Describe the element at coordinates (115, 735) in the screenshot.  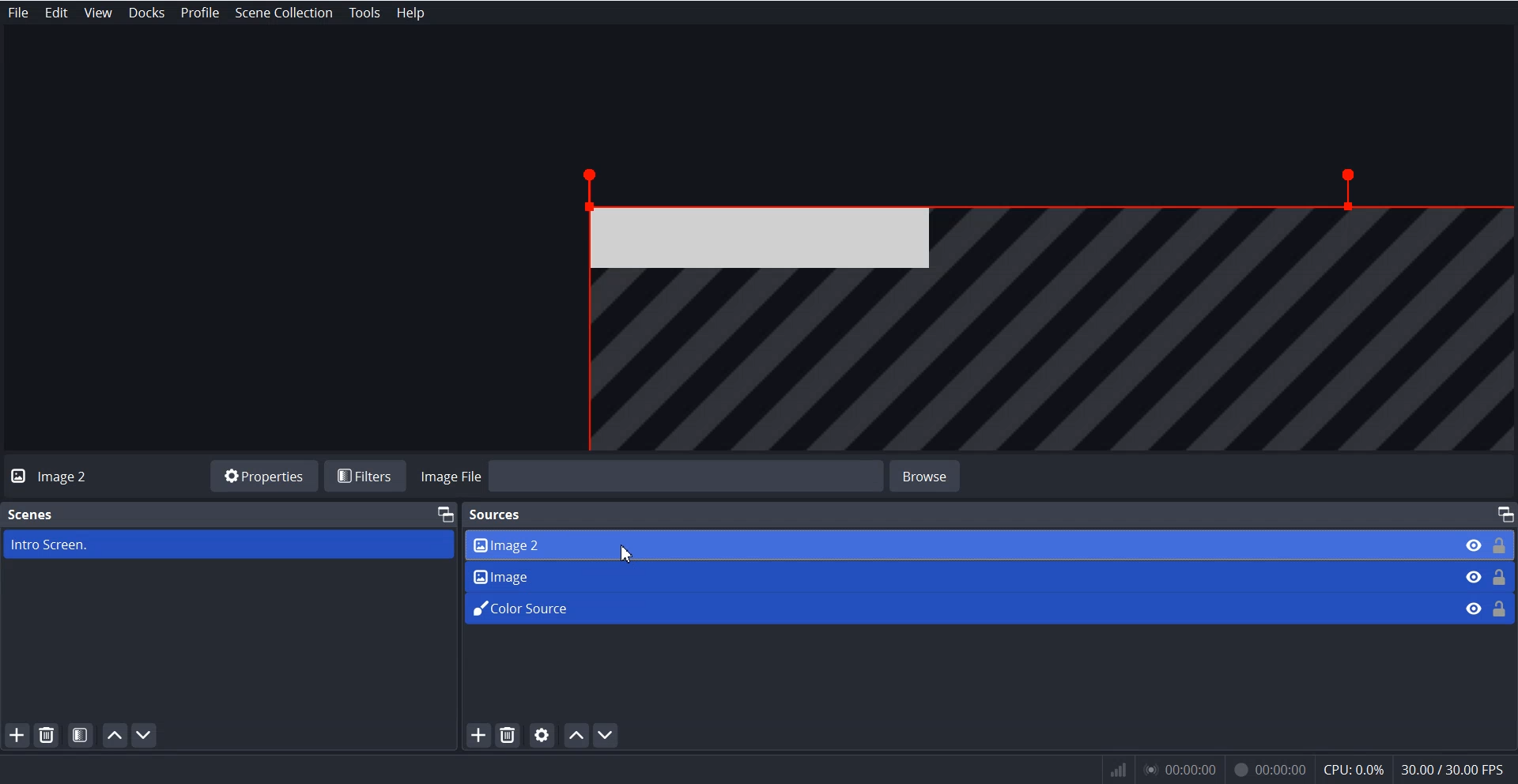
I see `Move Scene Up` at that location.